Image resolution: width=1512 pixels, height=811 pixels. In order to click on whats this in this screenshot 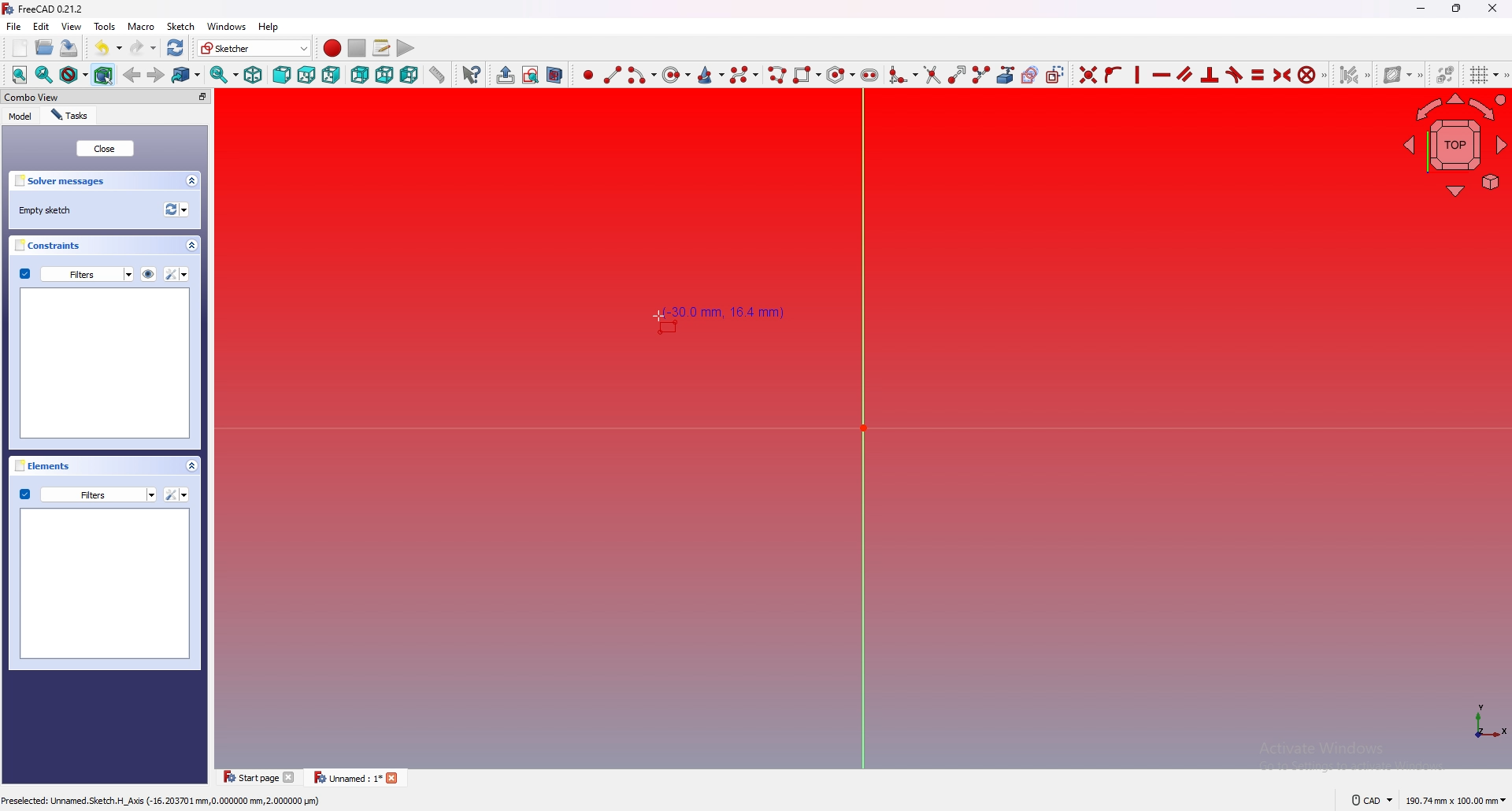, I will do `click(474, 74)`.